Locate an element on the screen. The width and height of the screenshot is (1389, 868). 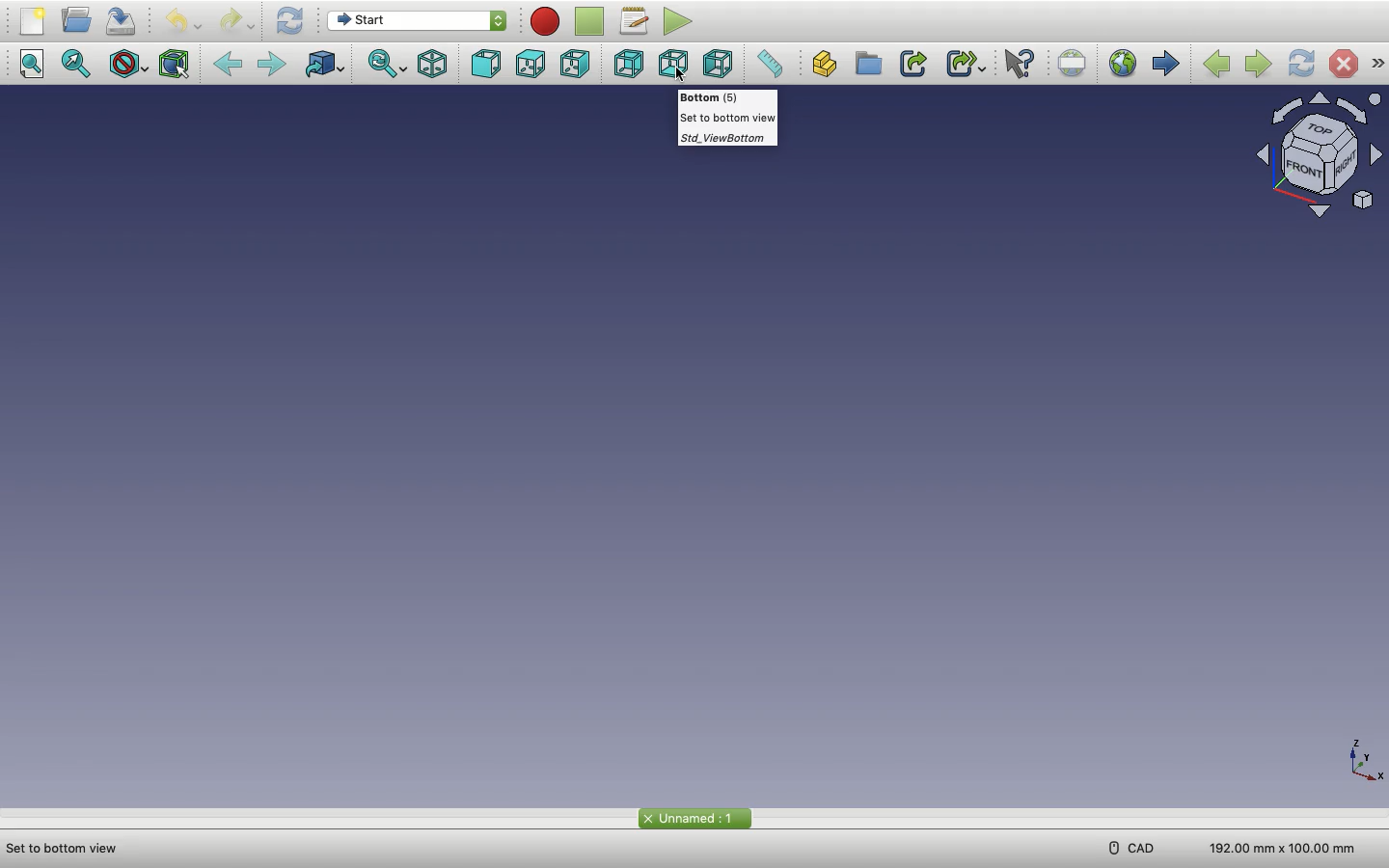
Start page is located at coordinates (1166, 65).